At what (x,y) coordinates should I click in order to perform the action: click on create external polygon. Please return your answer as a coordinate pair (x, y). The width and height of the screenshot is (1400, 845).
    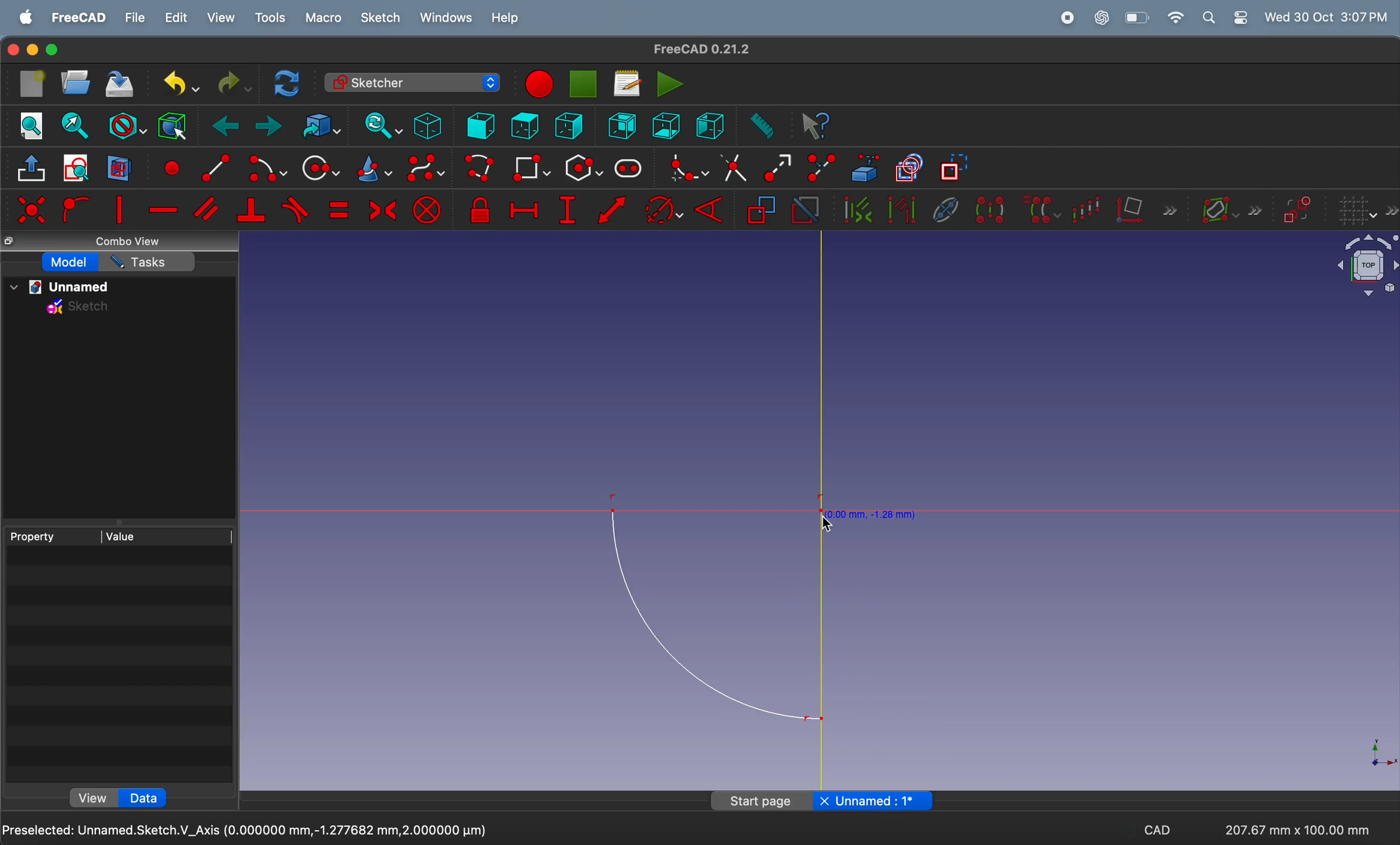
    Looking at the image, I should click on (583, 169).